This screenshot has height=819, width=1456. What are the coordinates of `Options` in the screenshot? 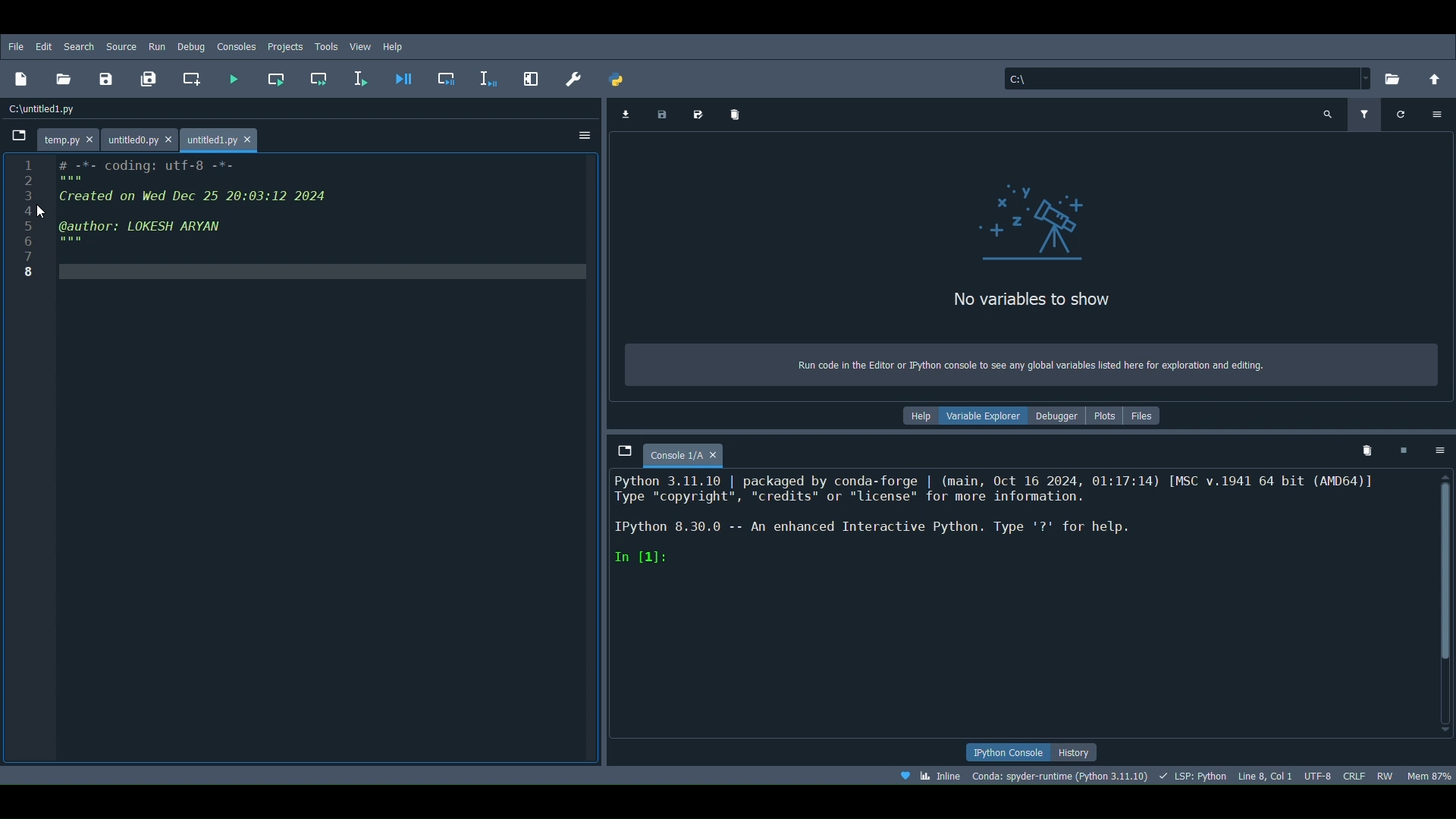 It's located at (1441, 449).